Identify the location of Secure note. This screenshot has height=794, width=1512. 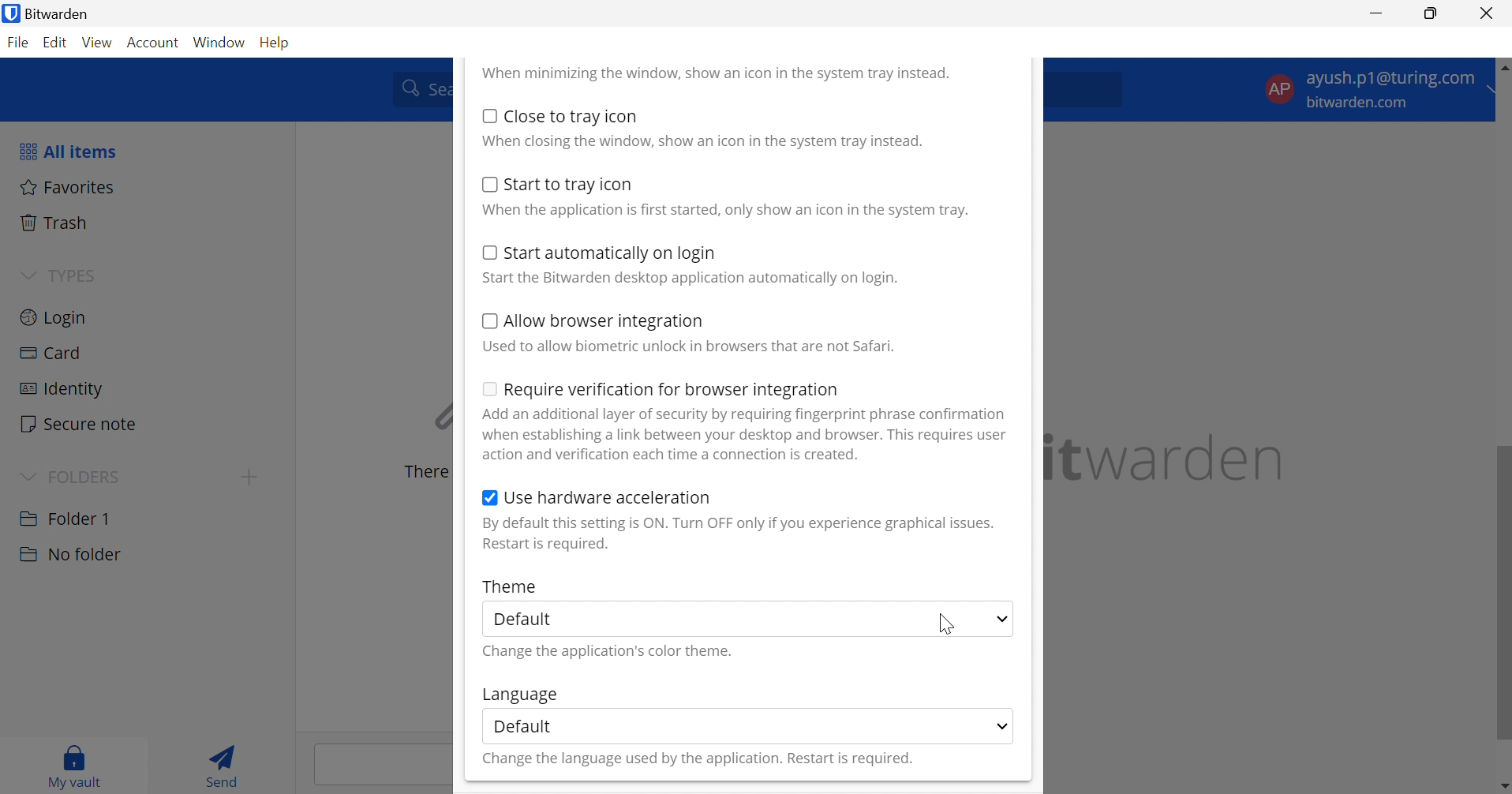
(80, 425).